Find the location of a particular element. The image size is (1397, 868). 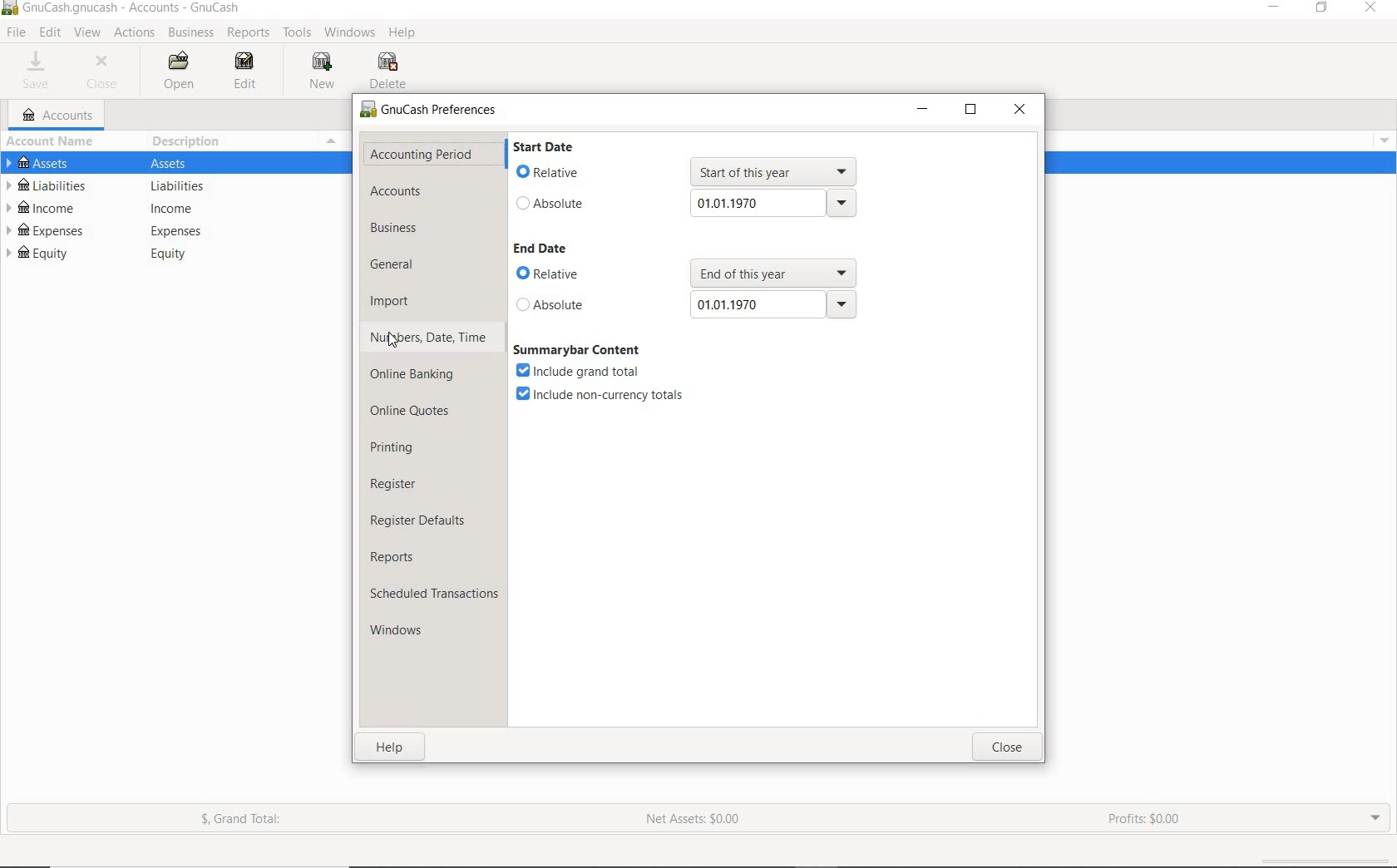

EXPENSES is located at coordinates (177, 230).